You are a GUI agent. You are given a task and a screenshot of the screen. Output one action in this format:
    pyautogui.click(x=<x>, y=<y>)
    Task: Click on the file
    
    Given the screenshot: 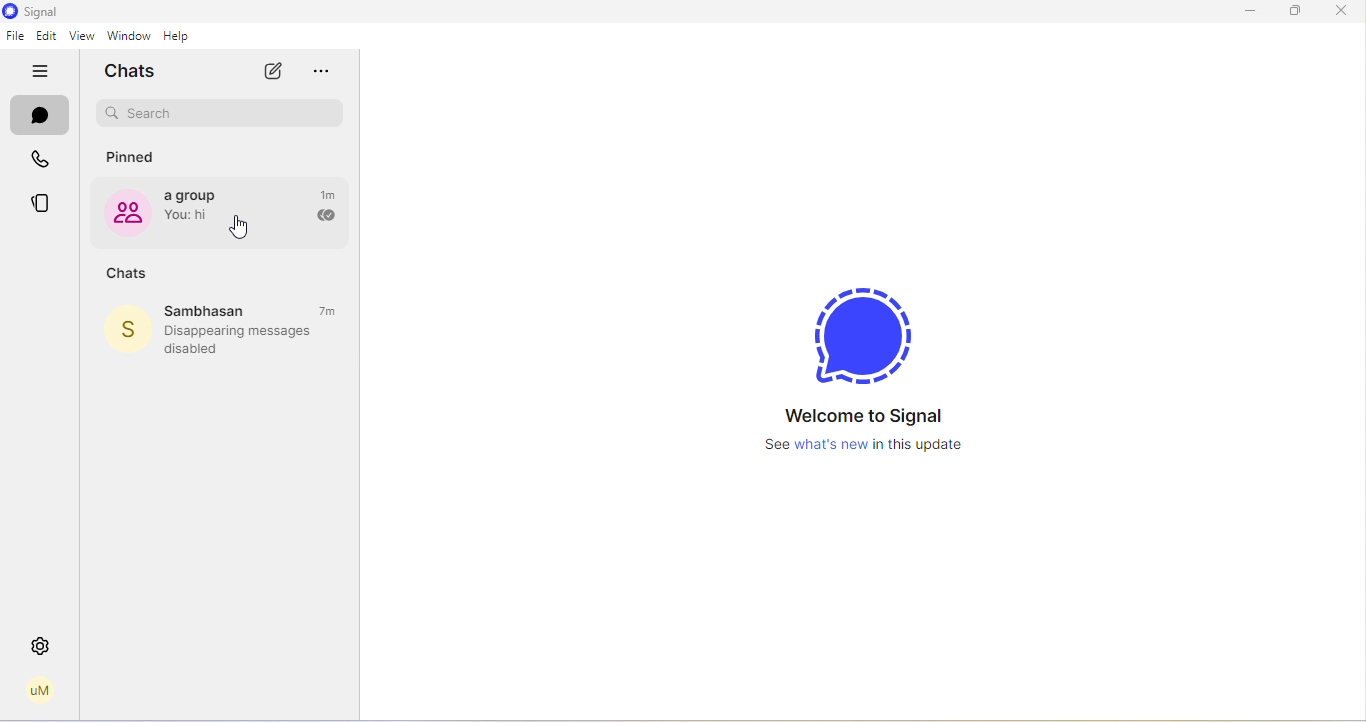 What is the action you would take?
    pyautogui.click(x=15, y=36)
    